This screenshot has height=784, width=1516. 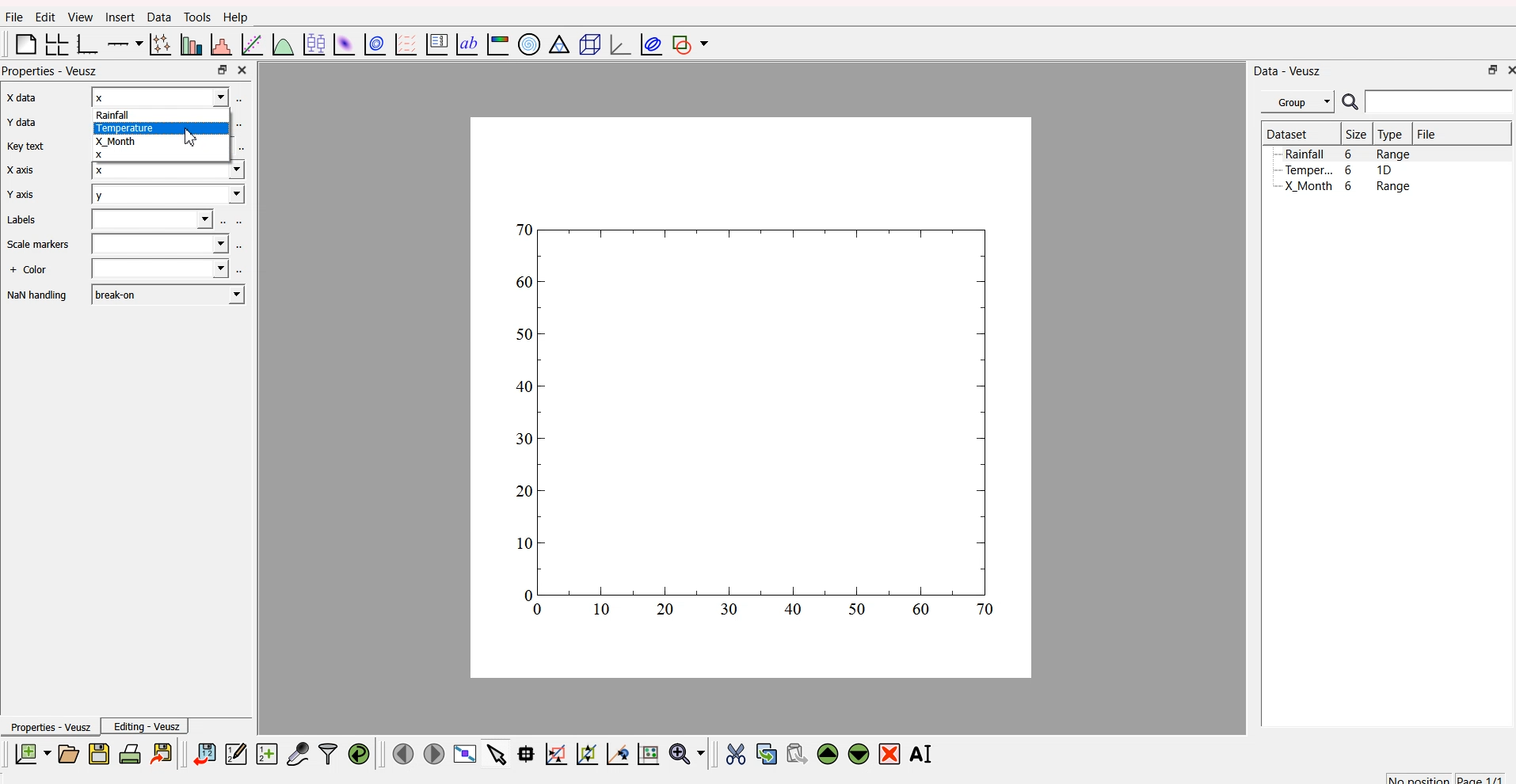 What do you see at coordinates (97, 753) in the screenshot?
I see `save a document` at bounding box center [97, 753].